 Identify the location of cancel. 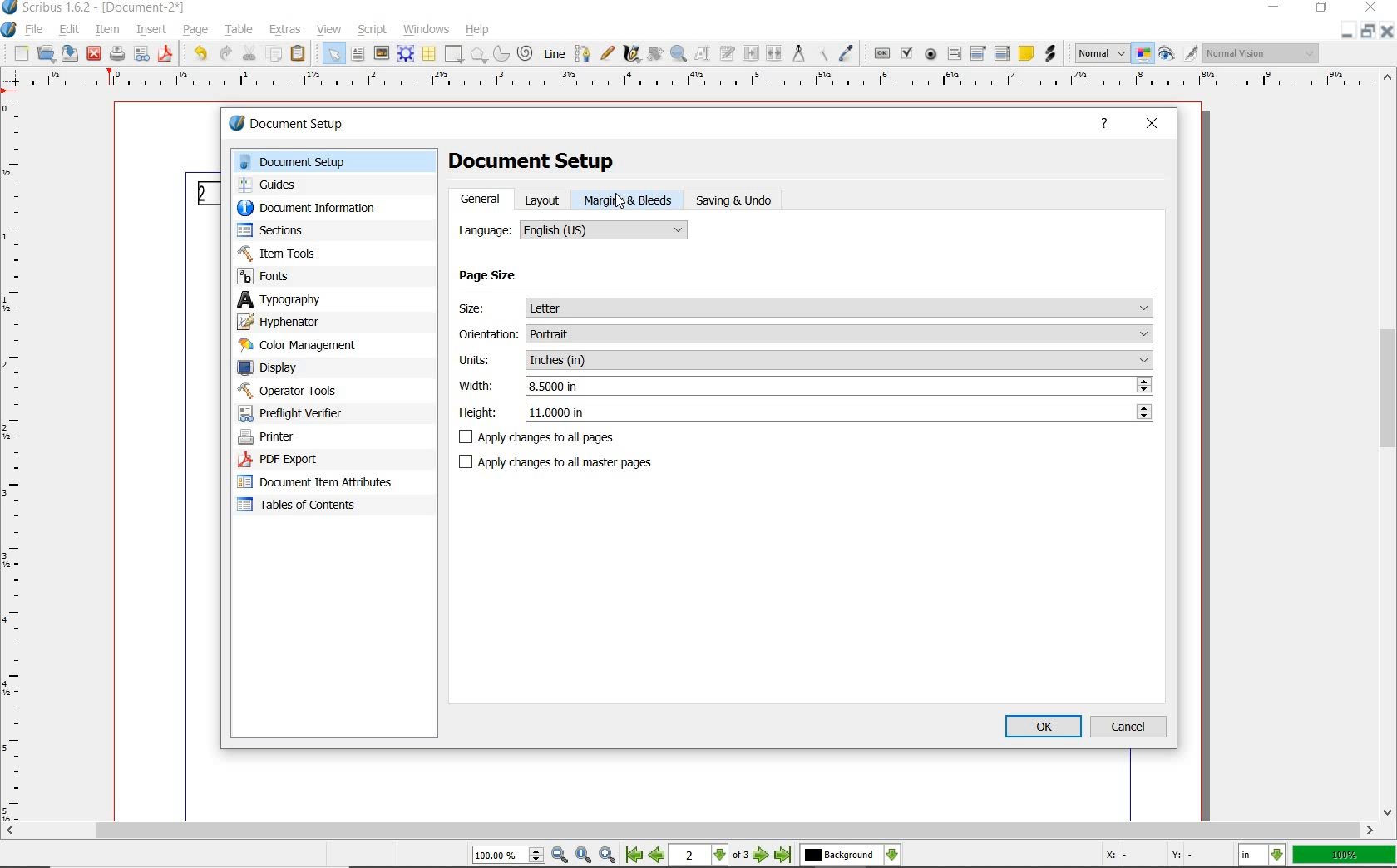
(1131, 726).